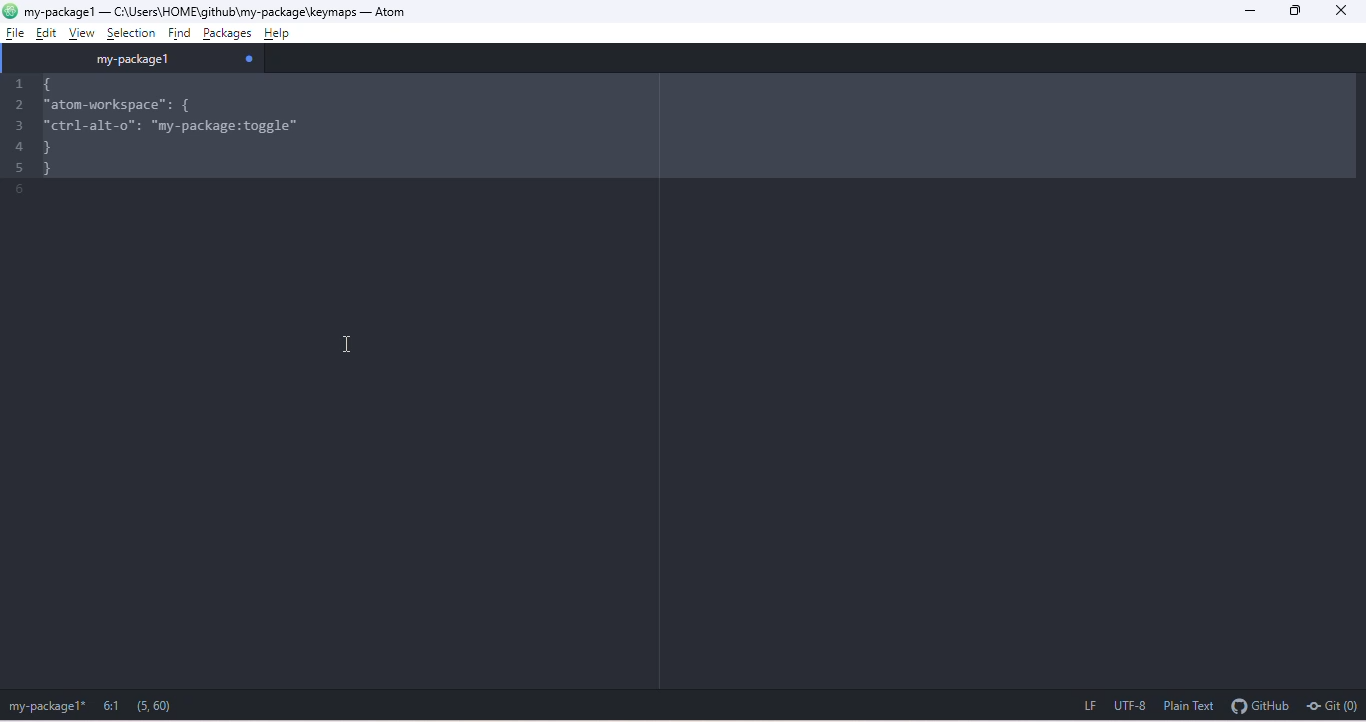 The width and height of the screenshot is (1366, 722). What do you see at coordinates (231, 10) in the screenshot?
I see ` c:\users\home\github\my package\keymaps-atom` at bounding box center [231, 10].